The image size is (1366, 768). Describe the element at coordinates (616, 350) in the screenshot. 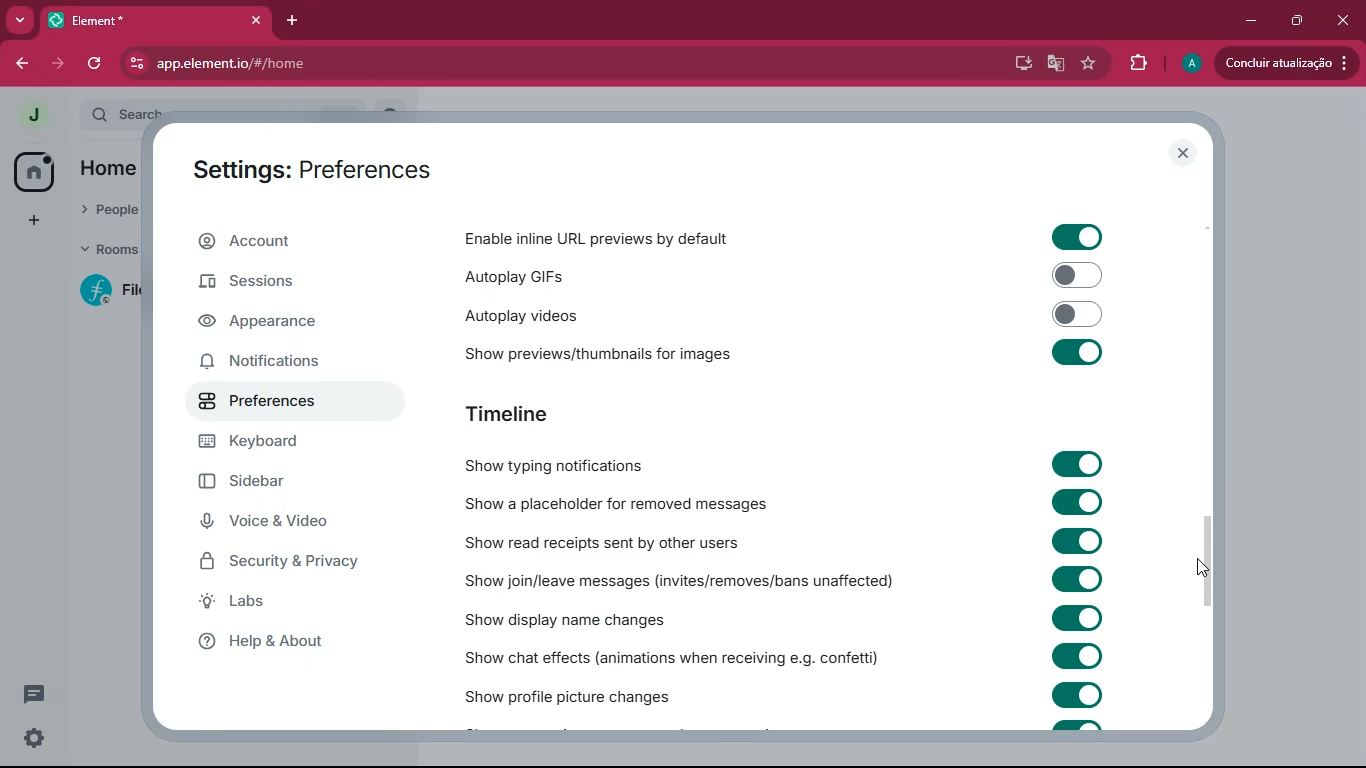

I see `show previews/thumbnails for images` at that location.